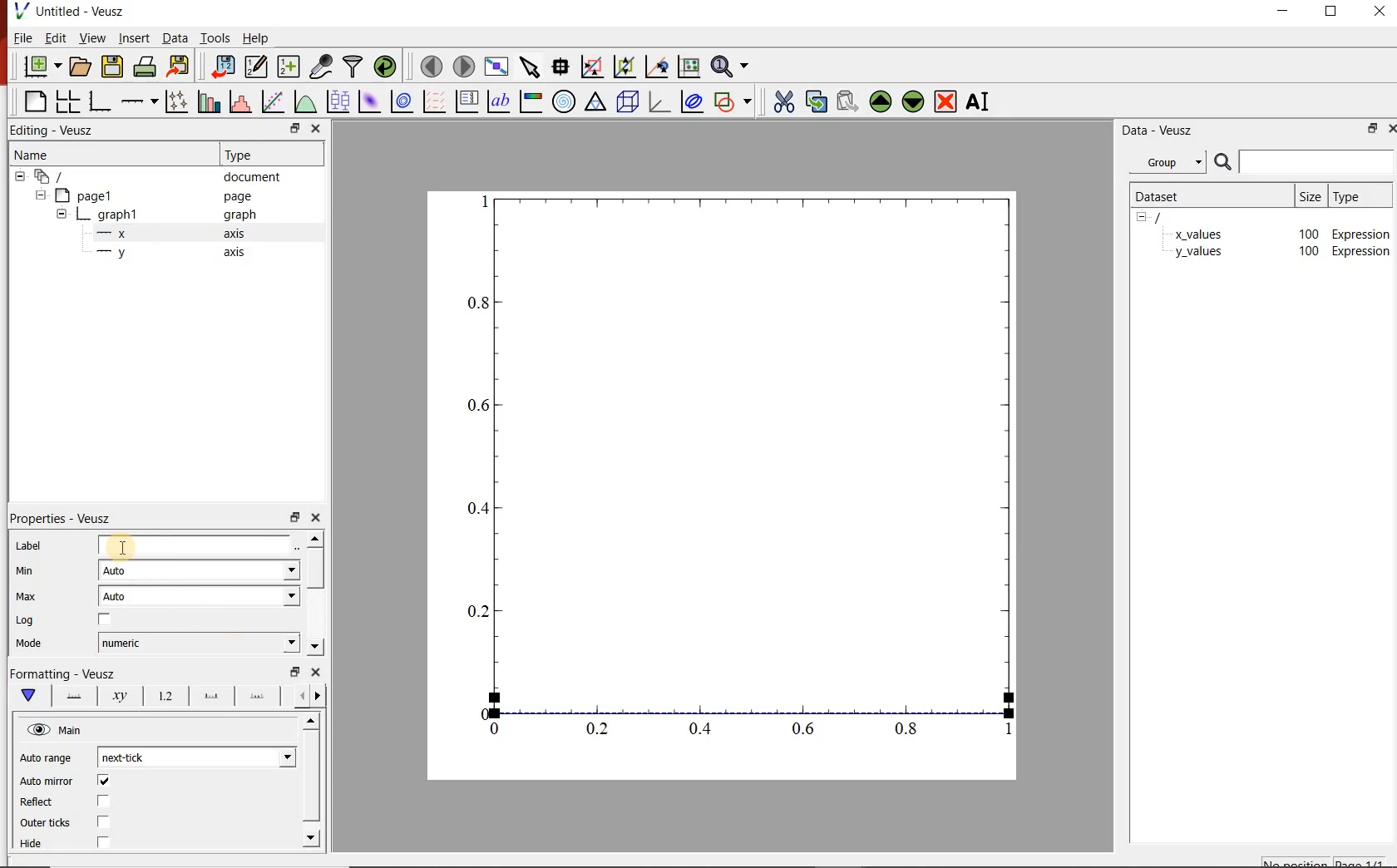 The height and width of the screenshot is (868, 1397). I want to click on move down the selected widget, so click(913, 104).